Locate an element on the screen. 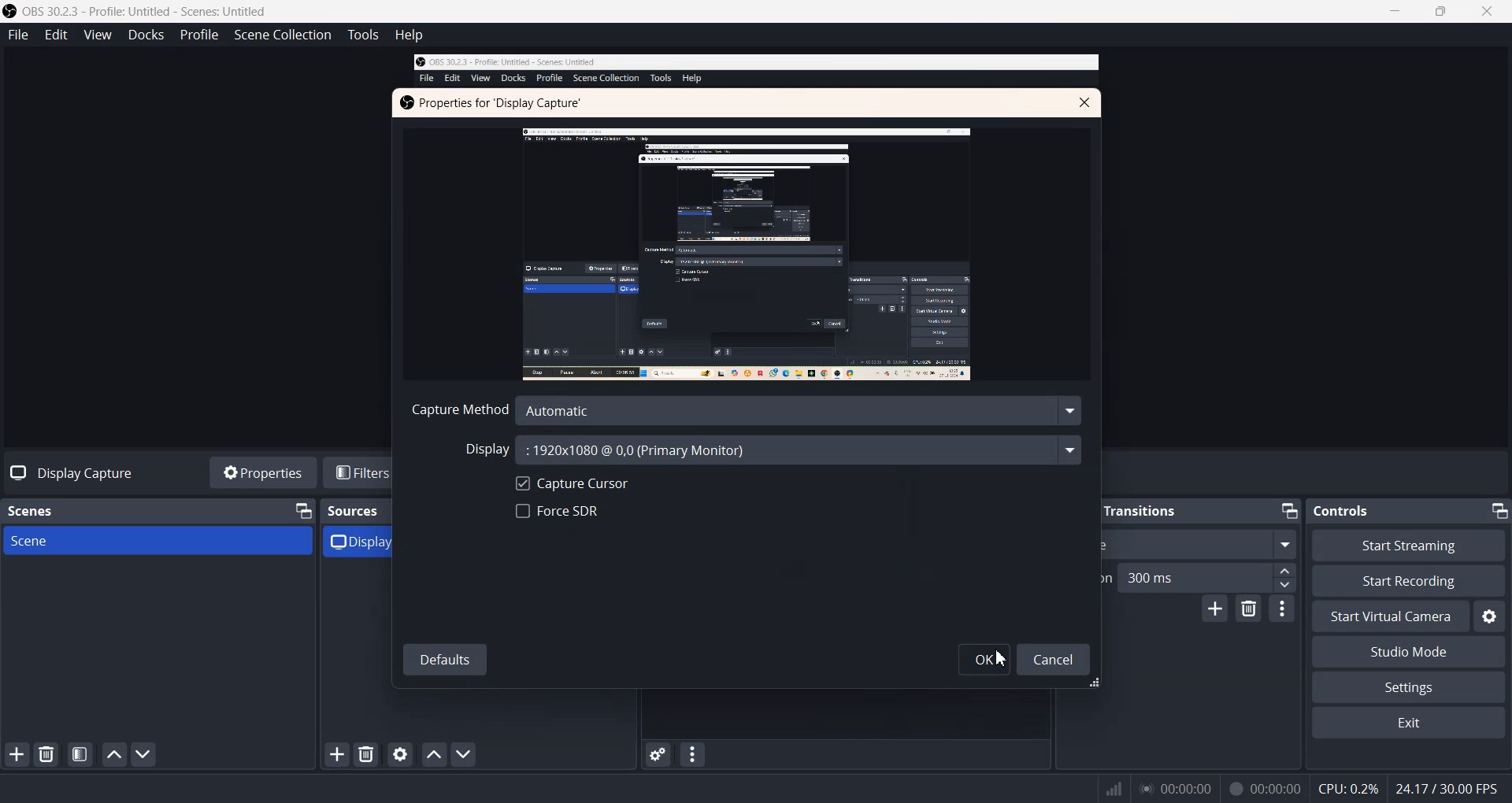  Move Source Up is located at coordinates (432, 754).